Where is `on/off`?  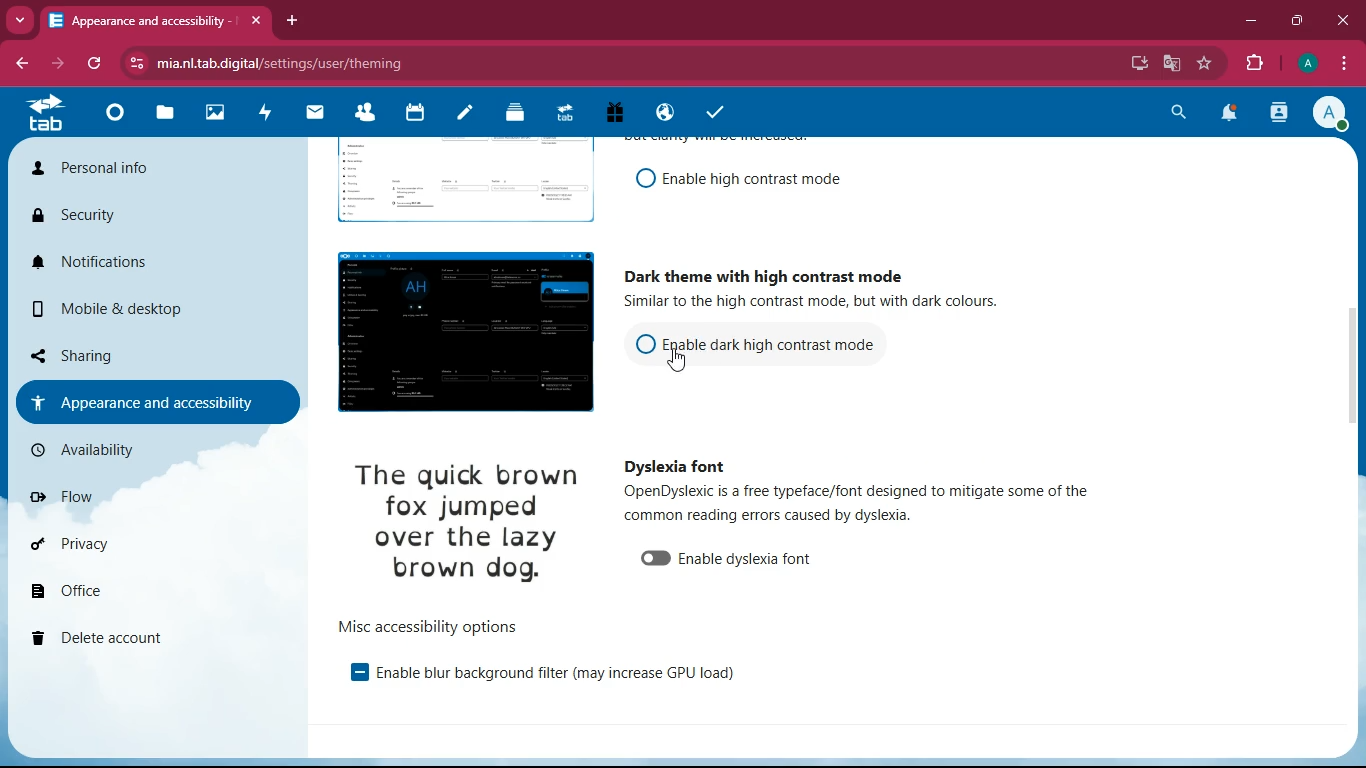
on/off is located at coordinates (650, 559).